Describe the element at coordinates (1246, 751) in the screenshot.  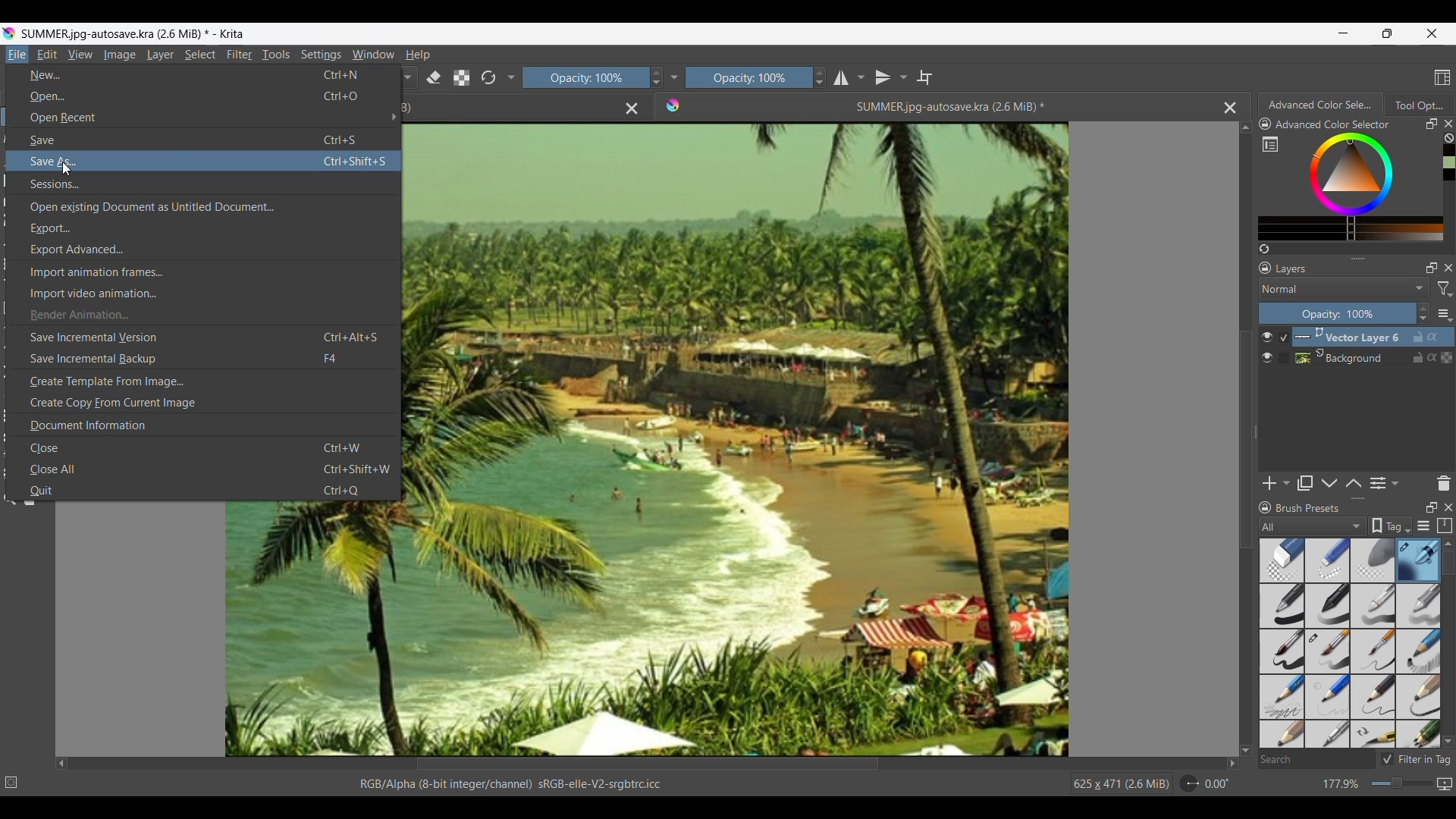
I see `Quick slide to bottom` at that location.